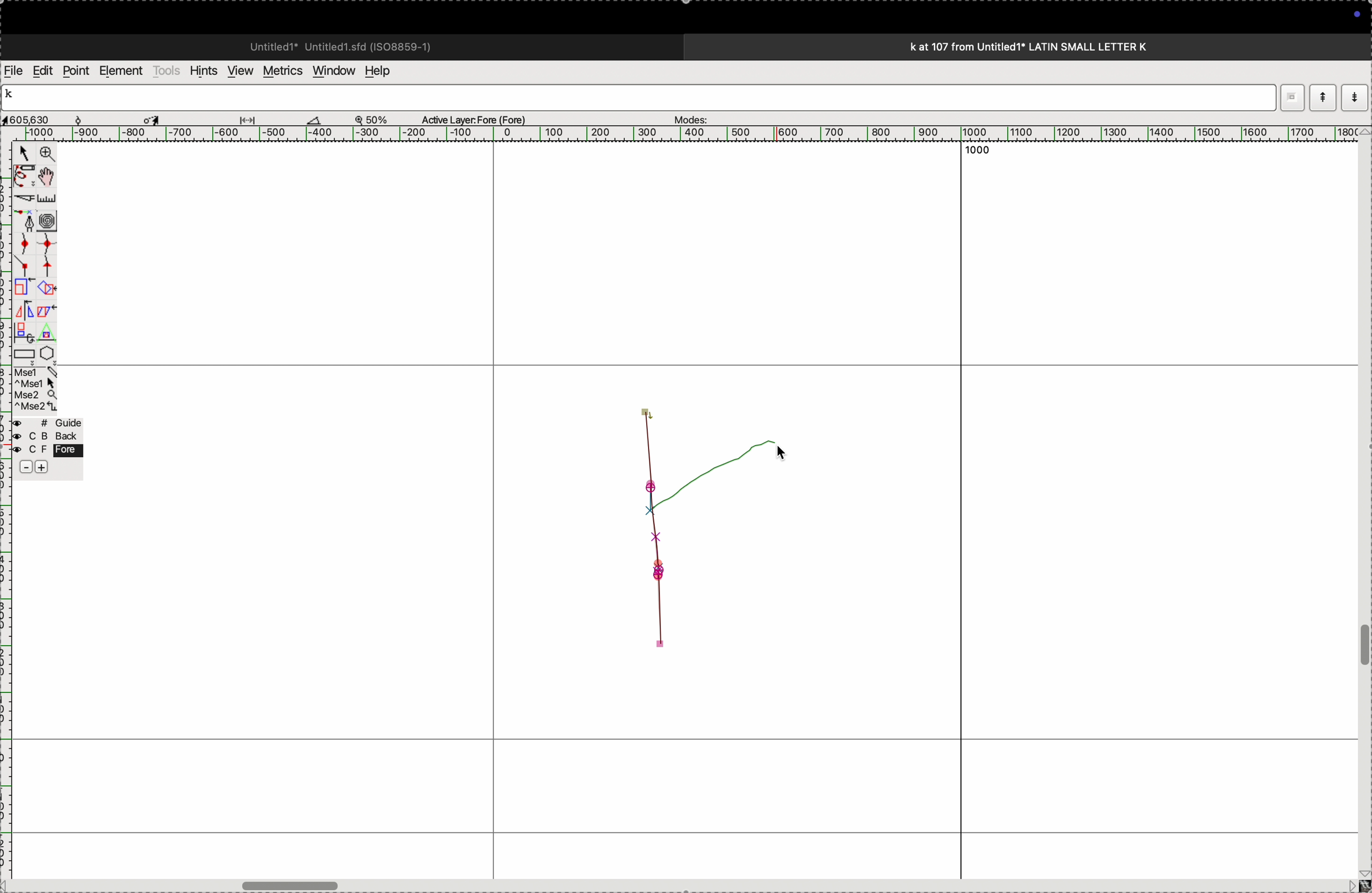 Image resolution: width=1372 pixels, height=893 pixels. What do you see at coordinates (14, 71) in the screenshot?
I see `file` at bounding box center [14, 71].